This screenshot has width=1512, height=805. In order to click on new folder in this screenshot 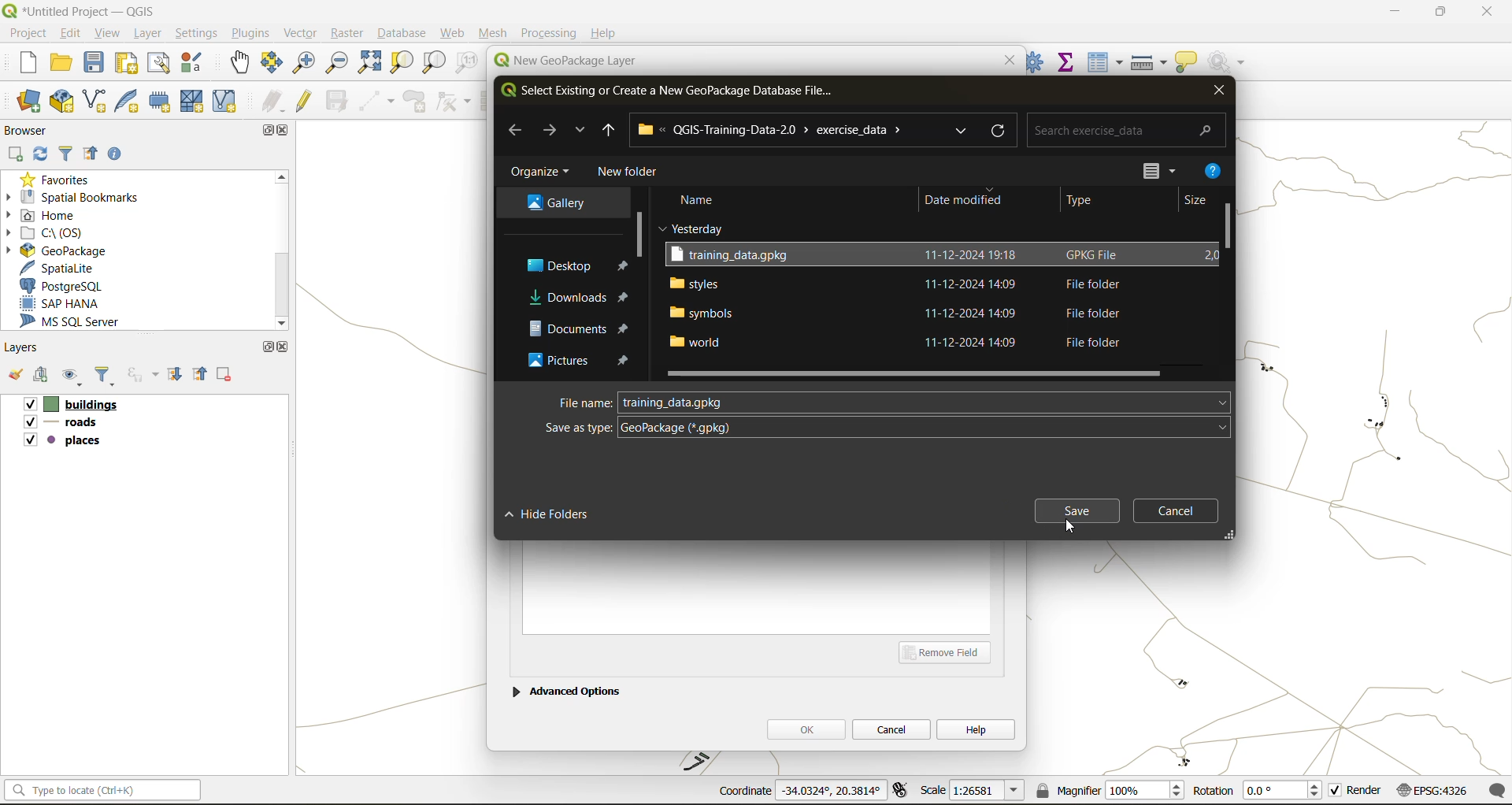, I will do `click(628, 172)`.